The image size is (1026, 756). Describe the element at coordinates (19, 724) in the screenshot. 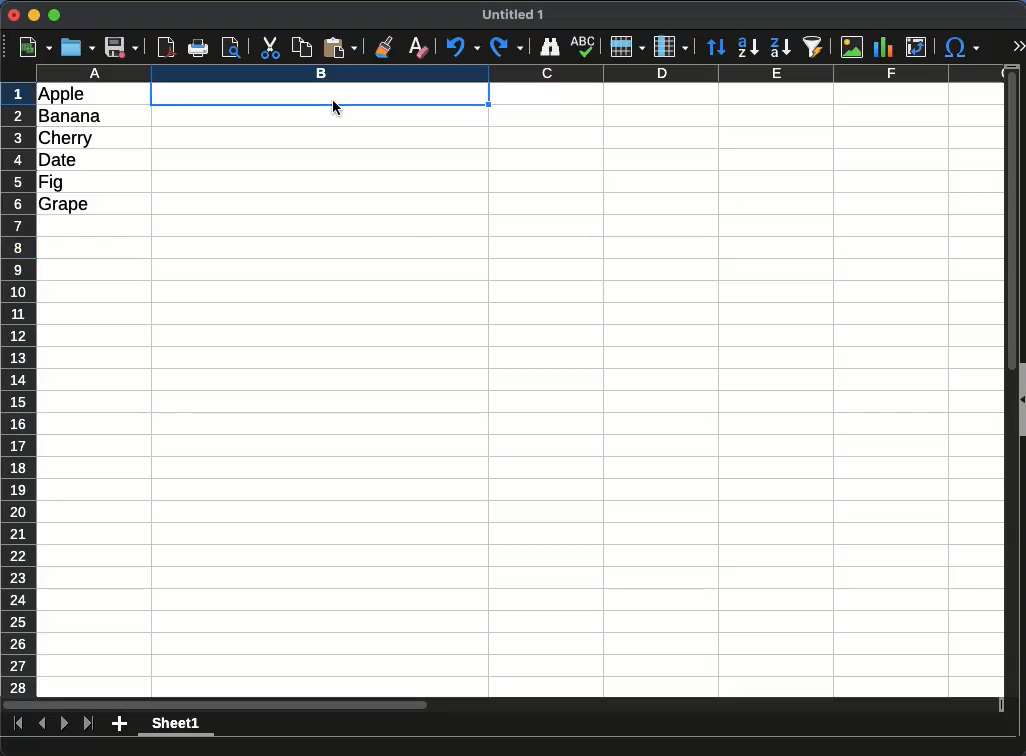

I see `first sheet` at that location.